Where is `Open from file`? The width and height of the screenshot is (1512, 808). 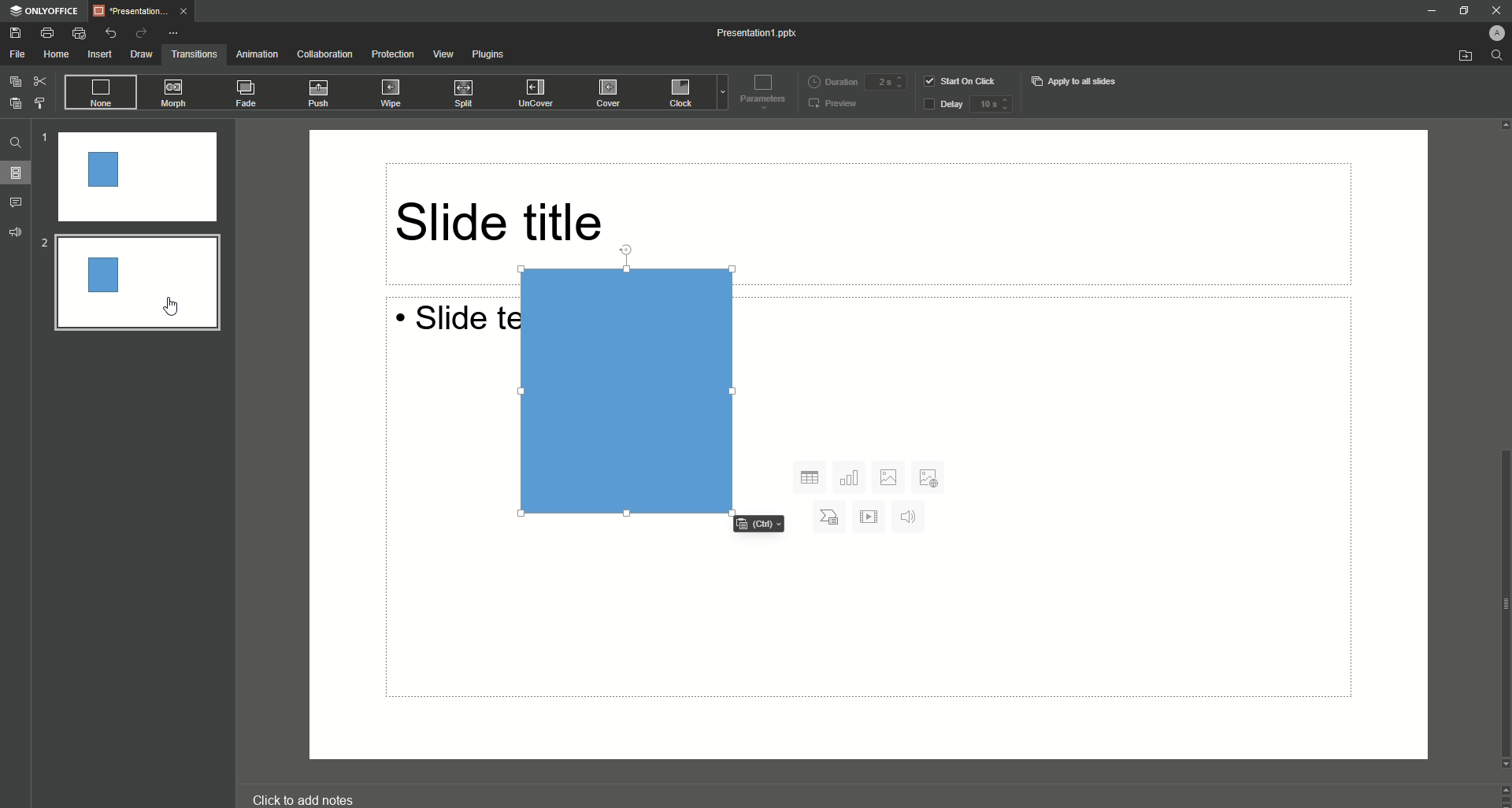 Open from file is located at coordinates (1458, 55).